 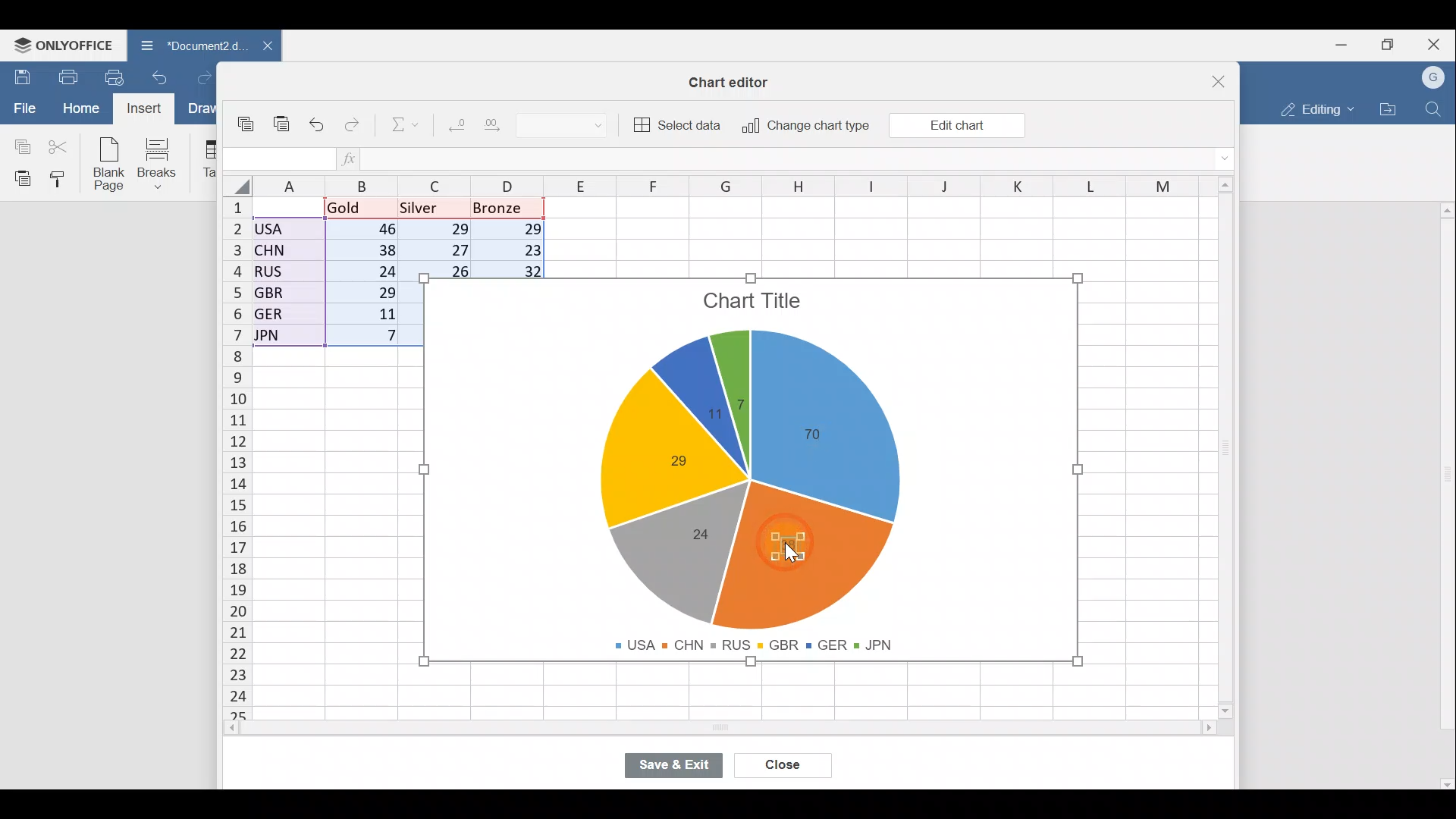 What do you see at coordinates (19, 177) in the screenshot?
I see `Paste` at bounding box center [19, 177].